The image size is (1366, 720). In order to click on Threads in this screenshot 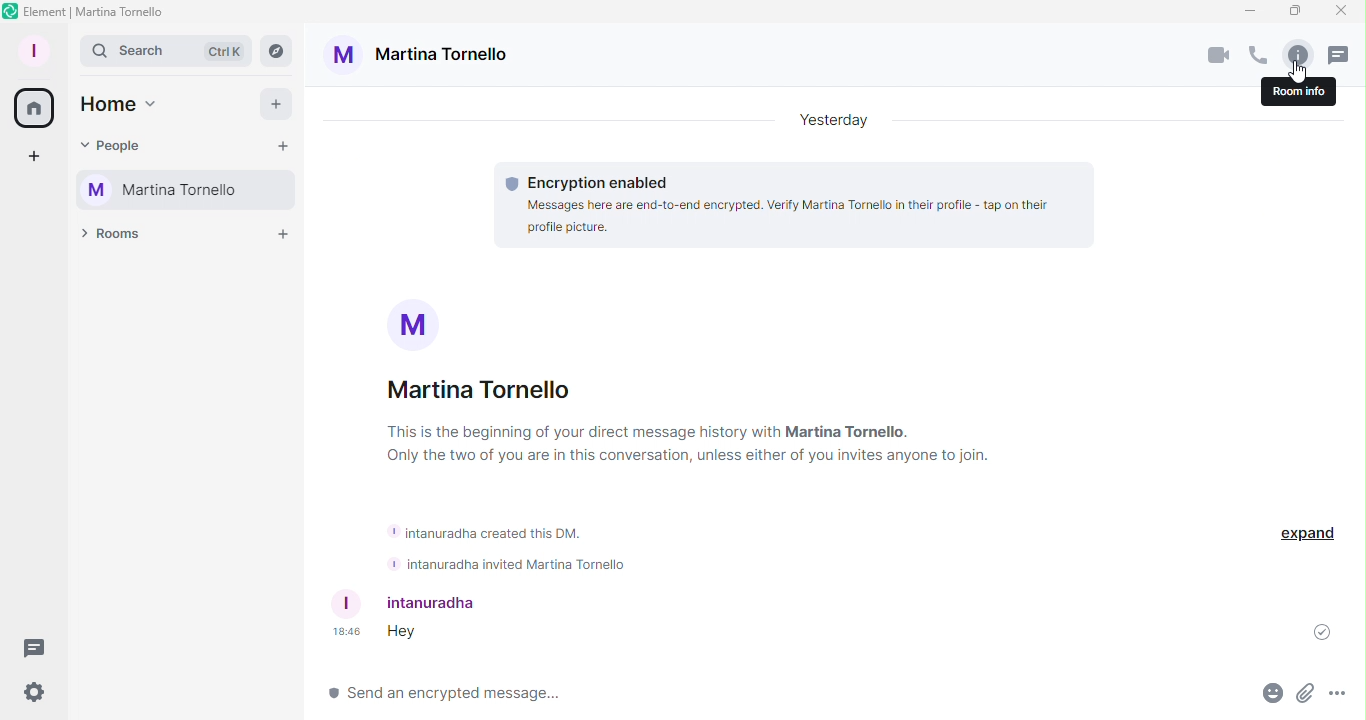, I will do `click(39, 644)`.